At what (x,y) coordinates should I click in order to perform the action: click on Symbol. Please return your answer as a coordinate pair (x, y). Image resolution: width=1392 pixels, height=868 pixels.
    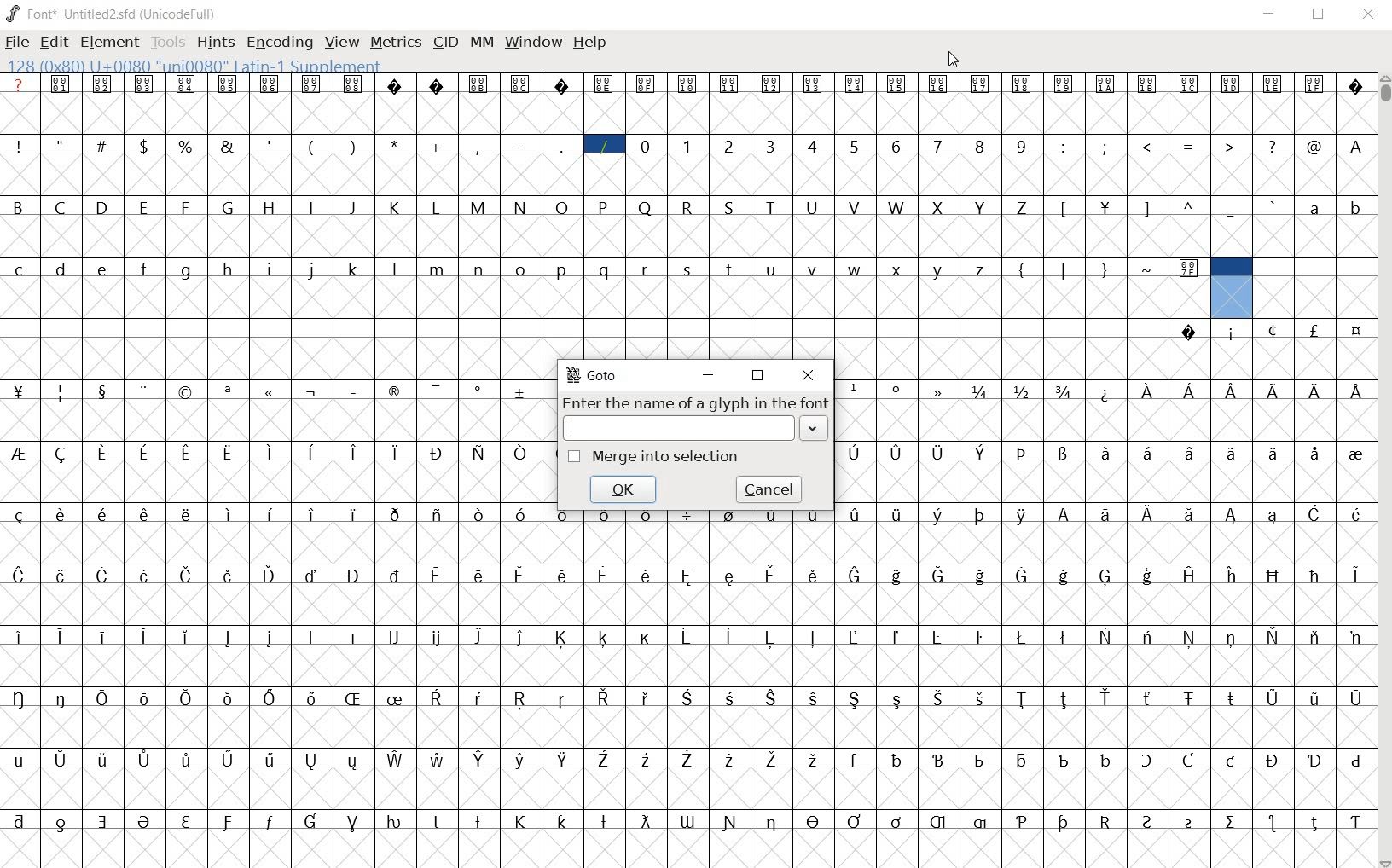
    Looking at the image, I should click on (479, 575).